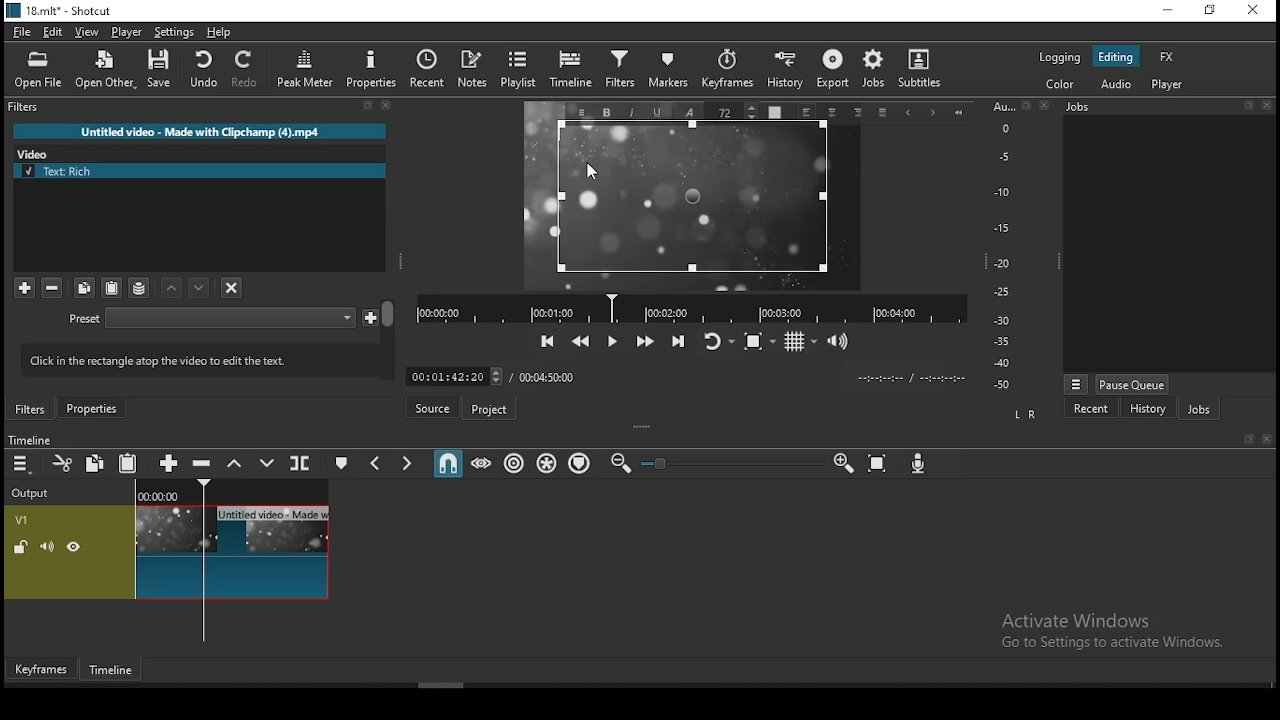  What do you see at coordinates (204, 464) in the screenshot?
I see `ripple delete` at bounding box center [204, 464].